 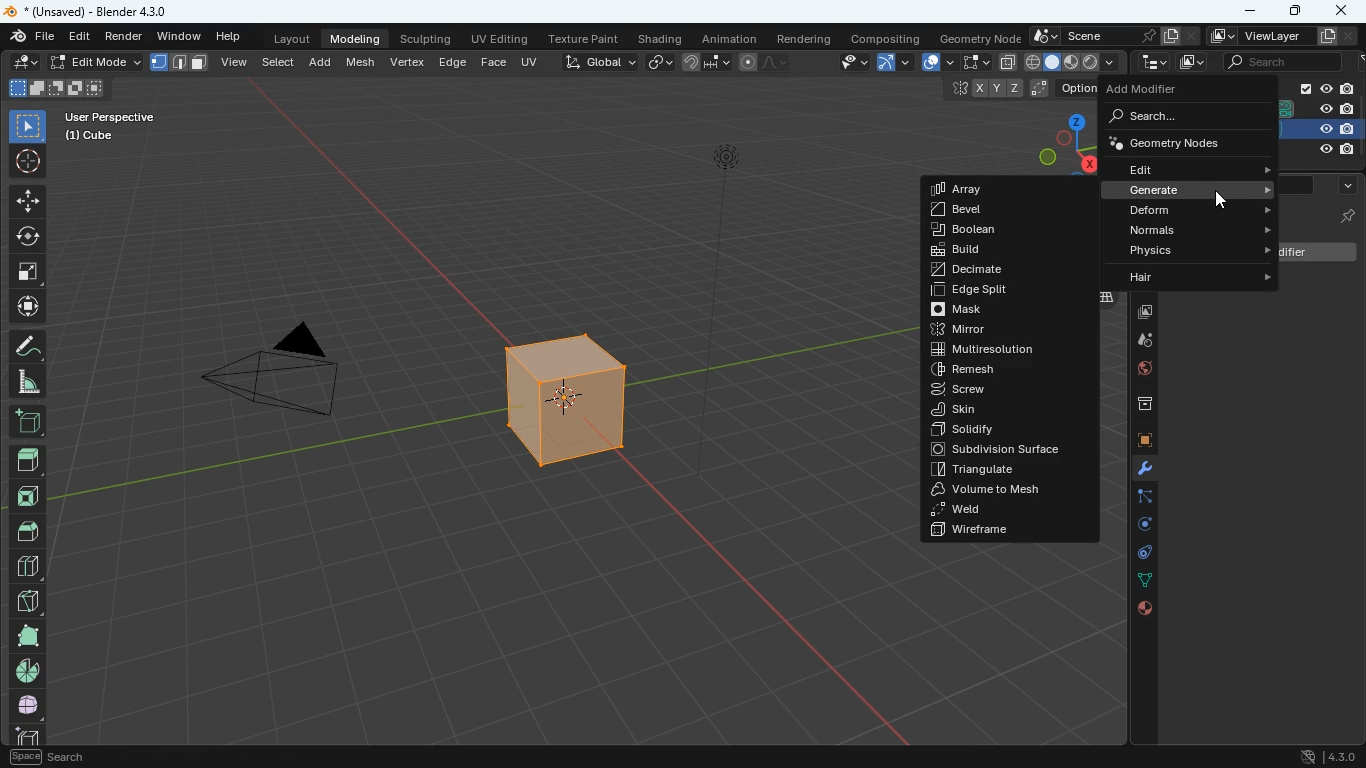 I want to click on overlap, so click(x=930, y=61).